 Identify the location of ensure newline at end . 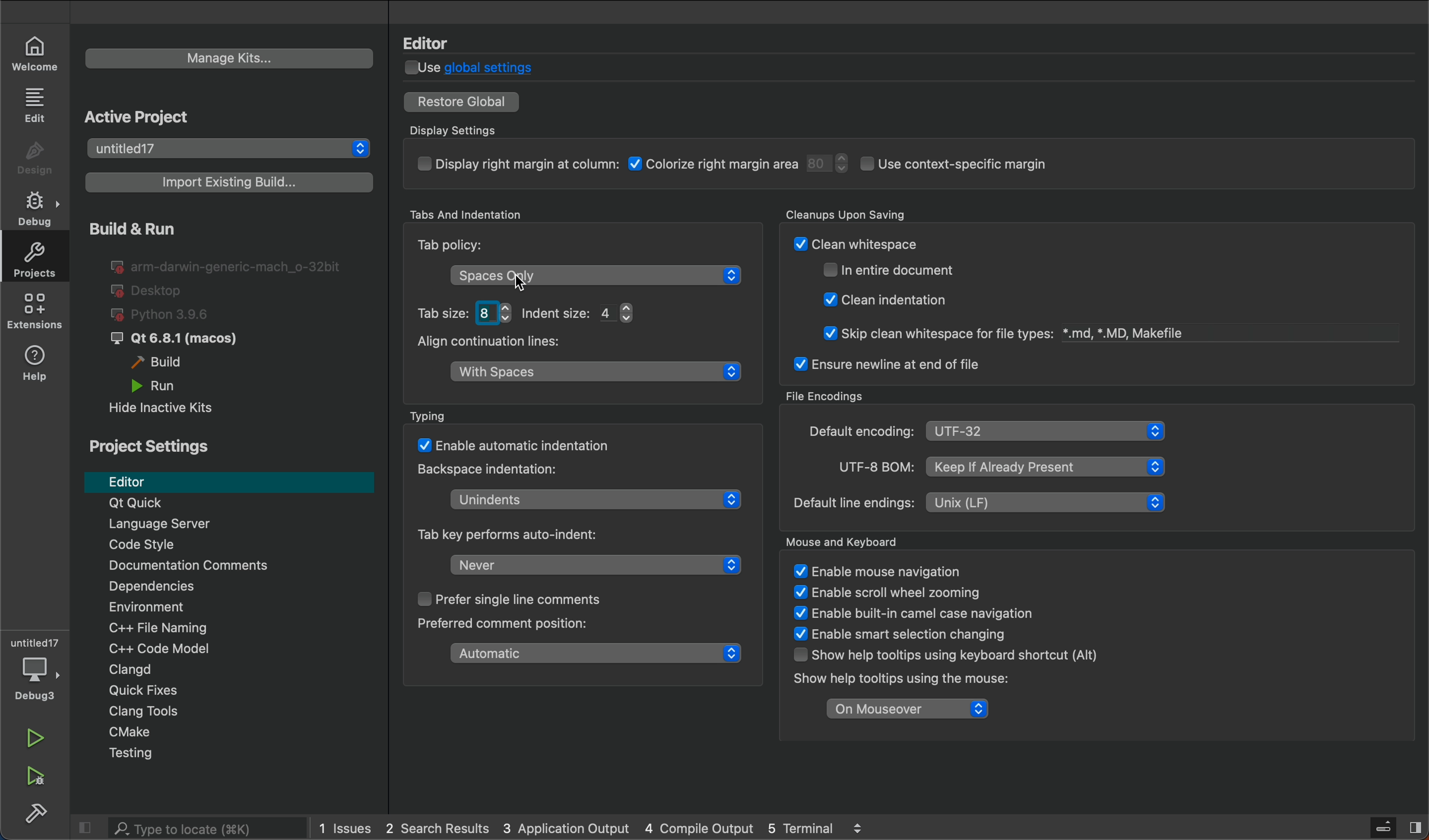
(886, 364).